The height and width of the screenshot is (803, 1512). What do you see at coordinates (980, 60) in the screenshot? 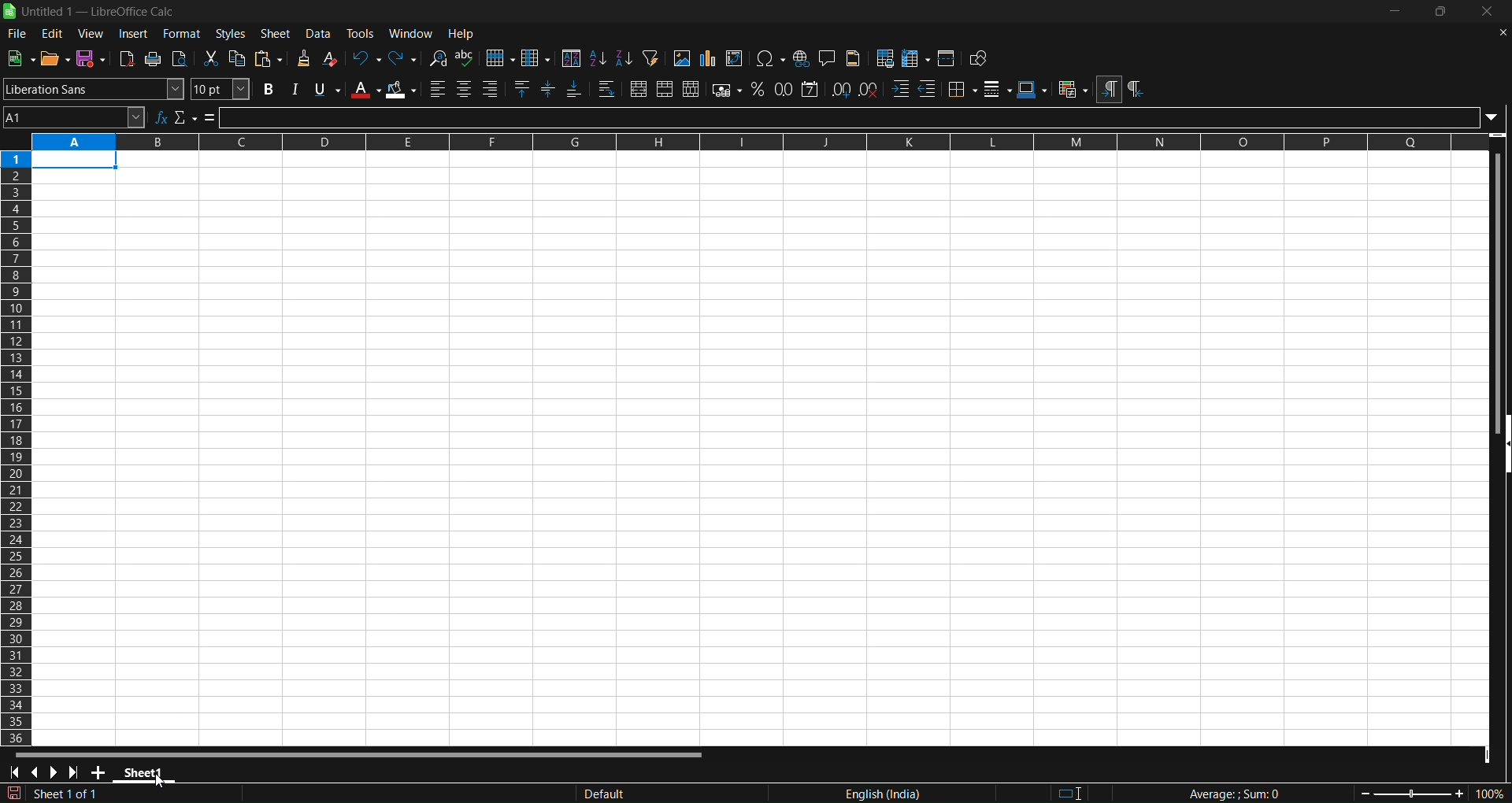
I see `show draw functions` at bounding box center [980, 60].